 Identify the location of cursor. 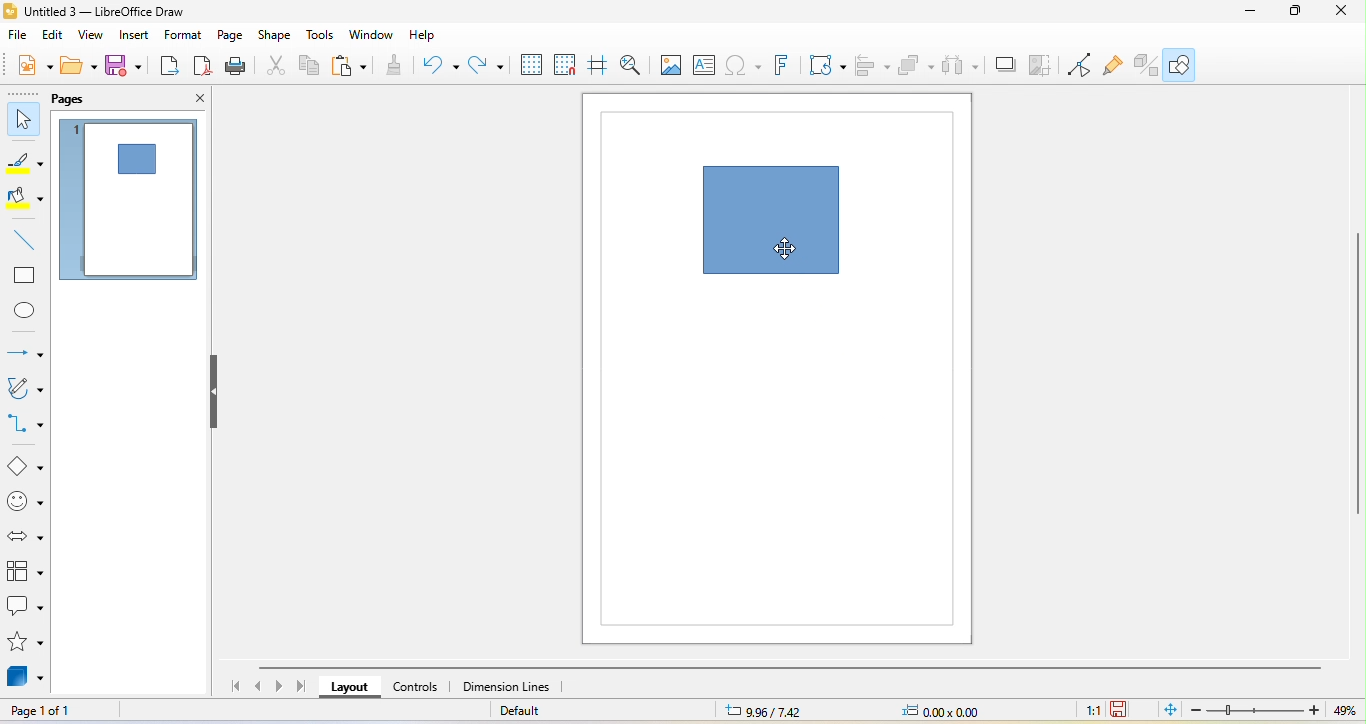
(787, 250).